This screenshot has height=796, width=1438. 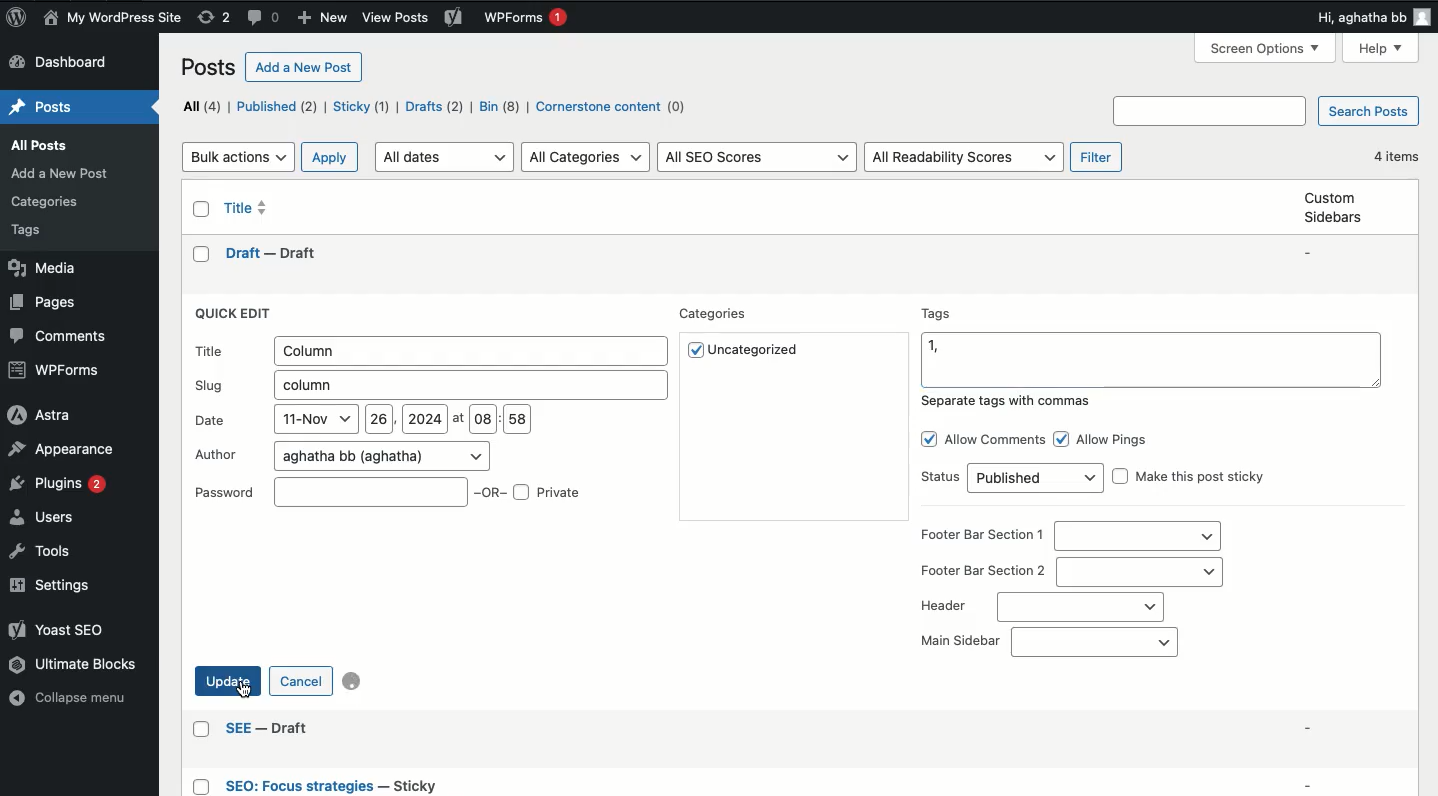 What do you see at coordinates (71, 450) in the screenshot?
I see `Appearance` at bounding box center [71, 450].